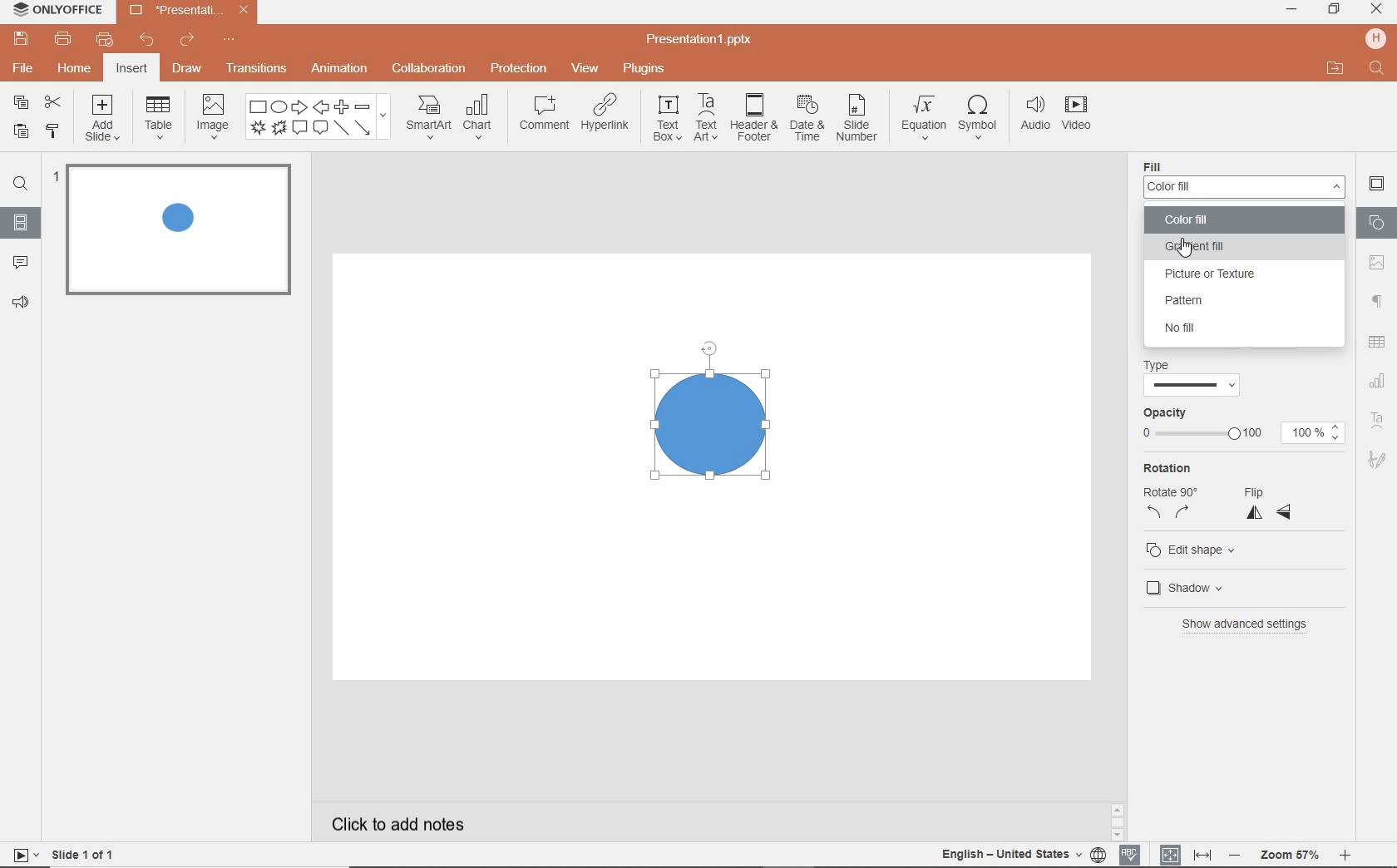 This screenshot has height=868, width=1397. I want to click on text input, so click(1377, 70).